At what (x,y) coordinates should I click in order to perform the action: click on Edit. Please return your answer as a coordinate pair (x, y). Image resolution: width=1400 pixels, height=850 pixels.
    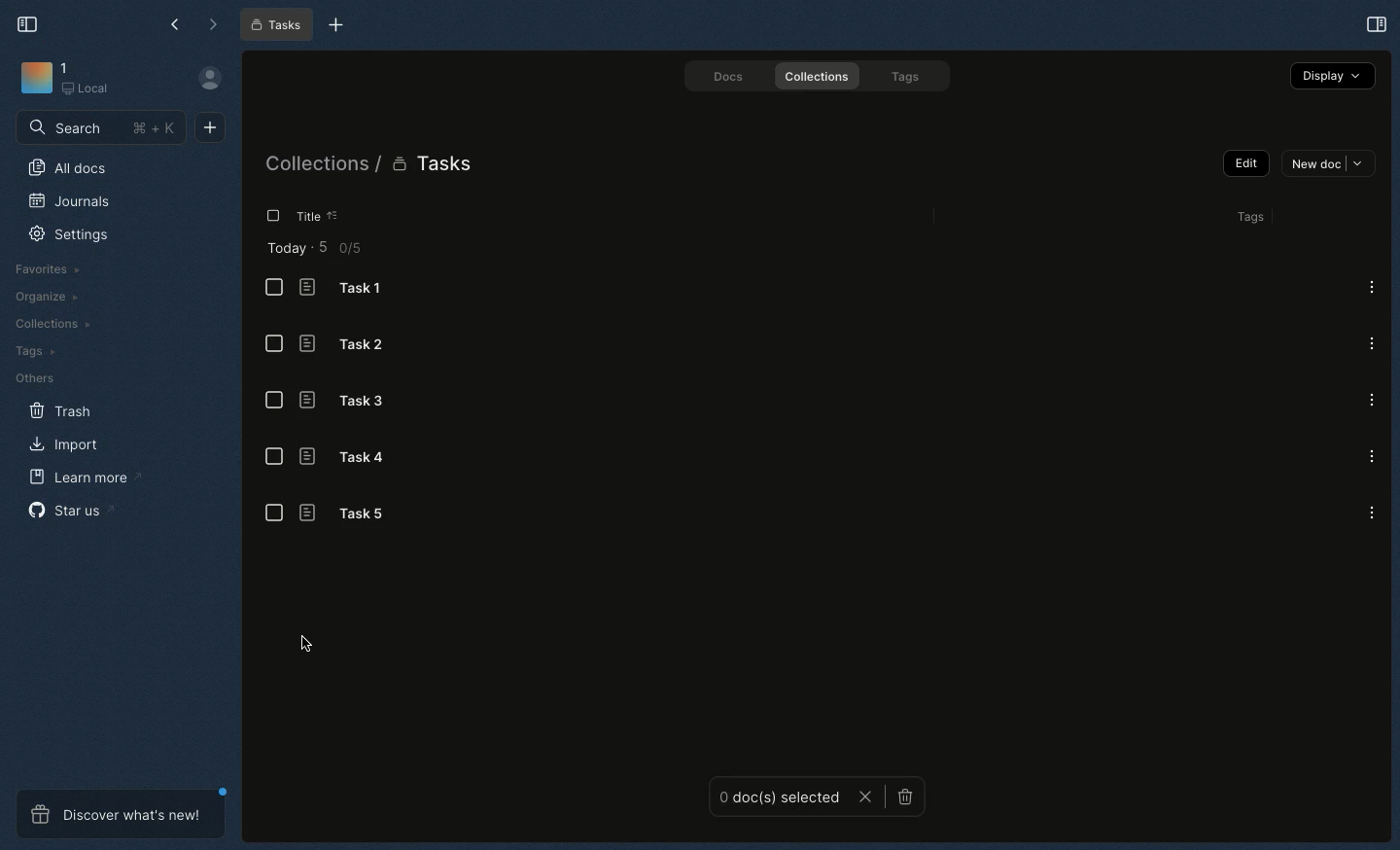
    Looking at the image, I should click on (1246, 164).